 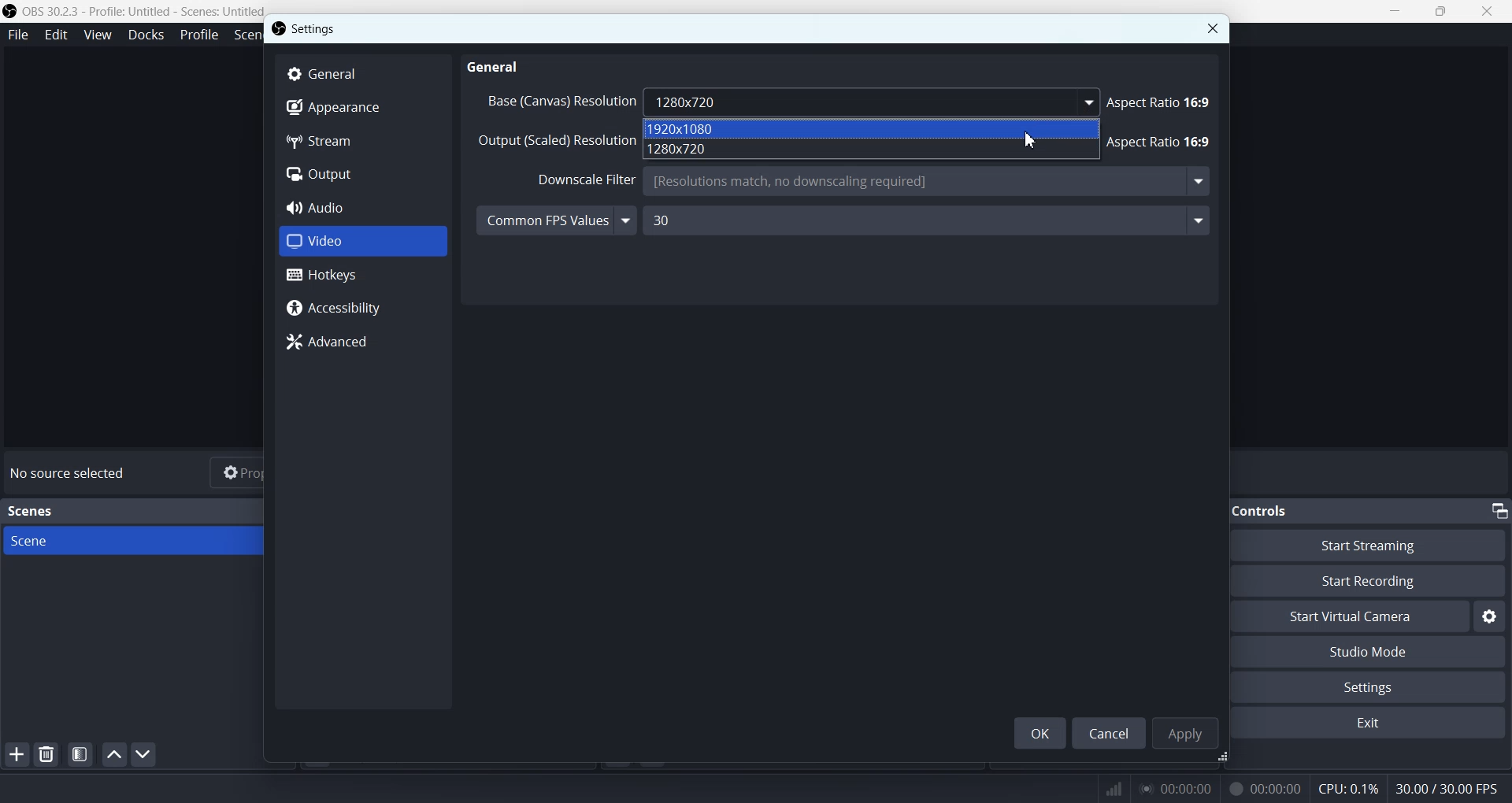 I want to click on View, so click(x=97, y=34).